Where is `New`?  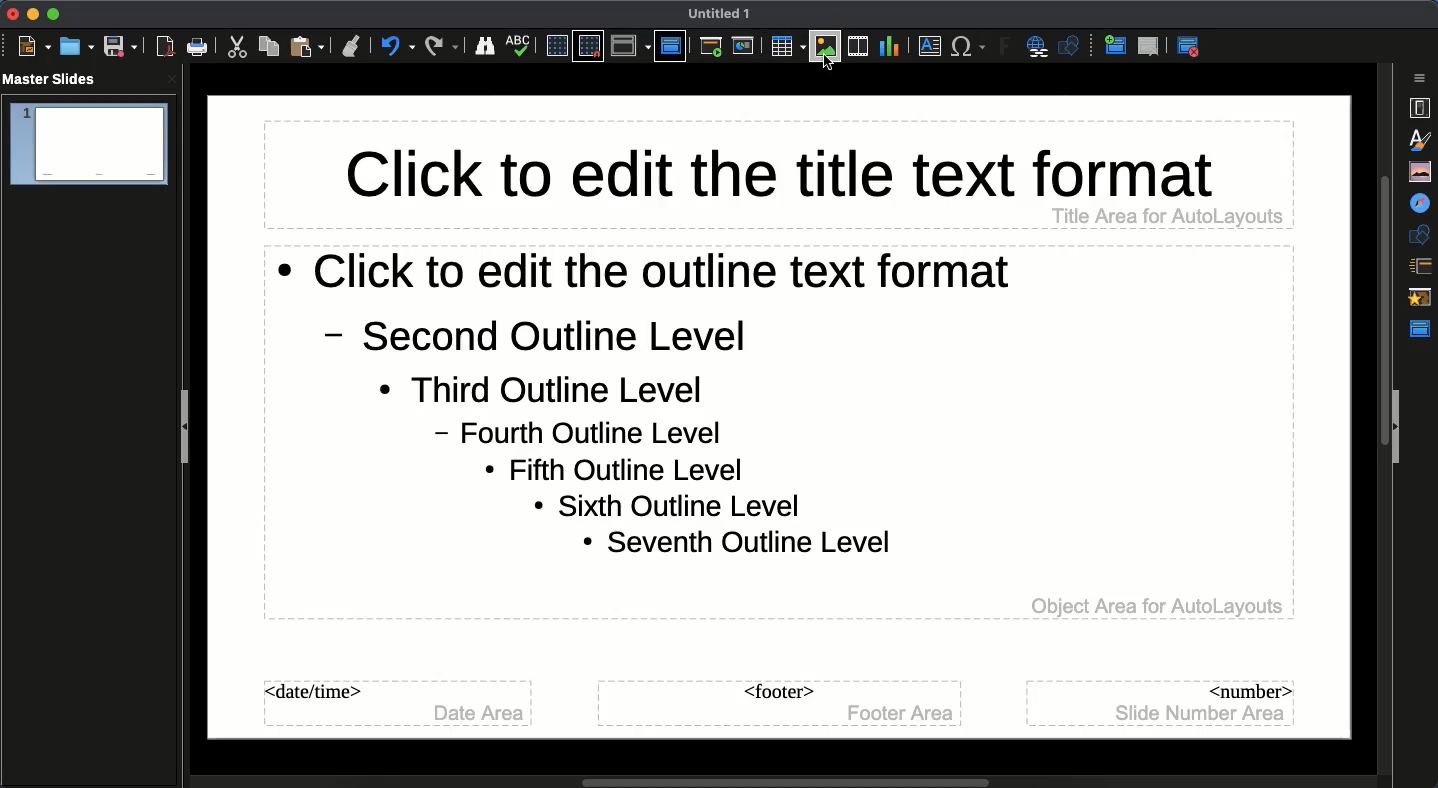
New is located at coordinates (34, 47).